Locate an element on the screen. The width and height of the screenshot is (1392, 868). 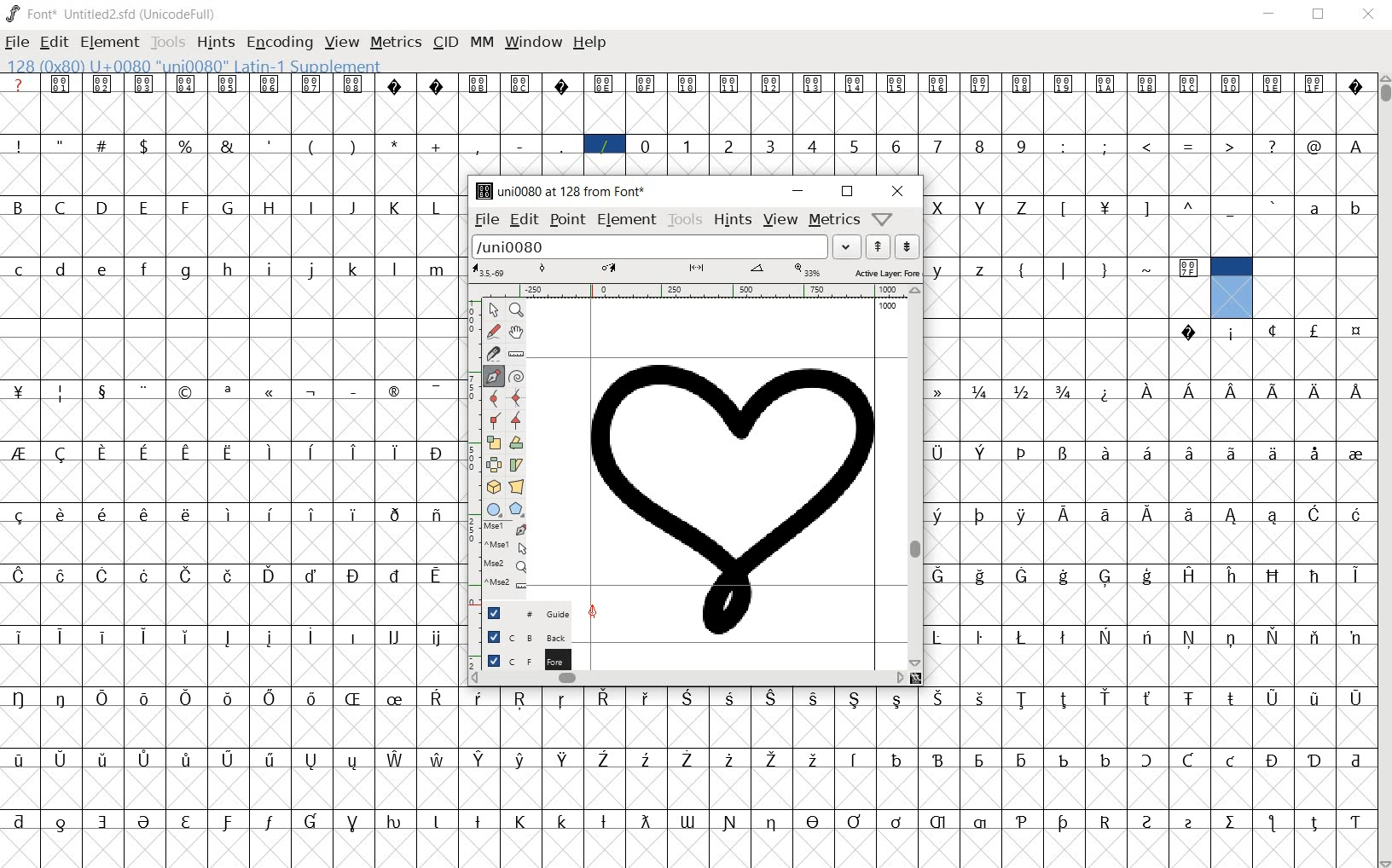
glyph is located at coordinates (896, 147).